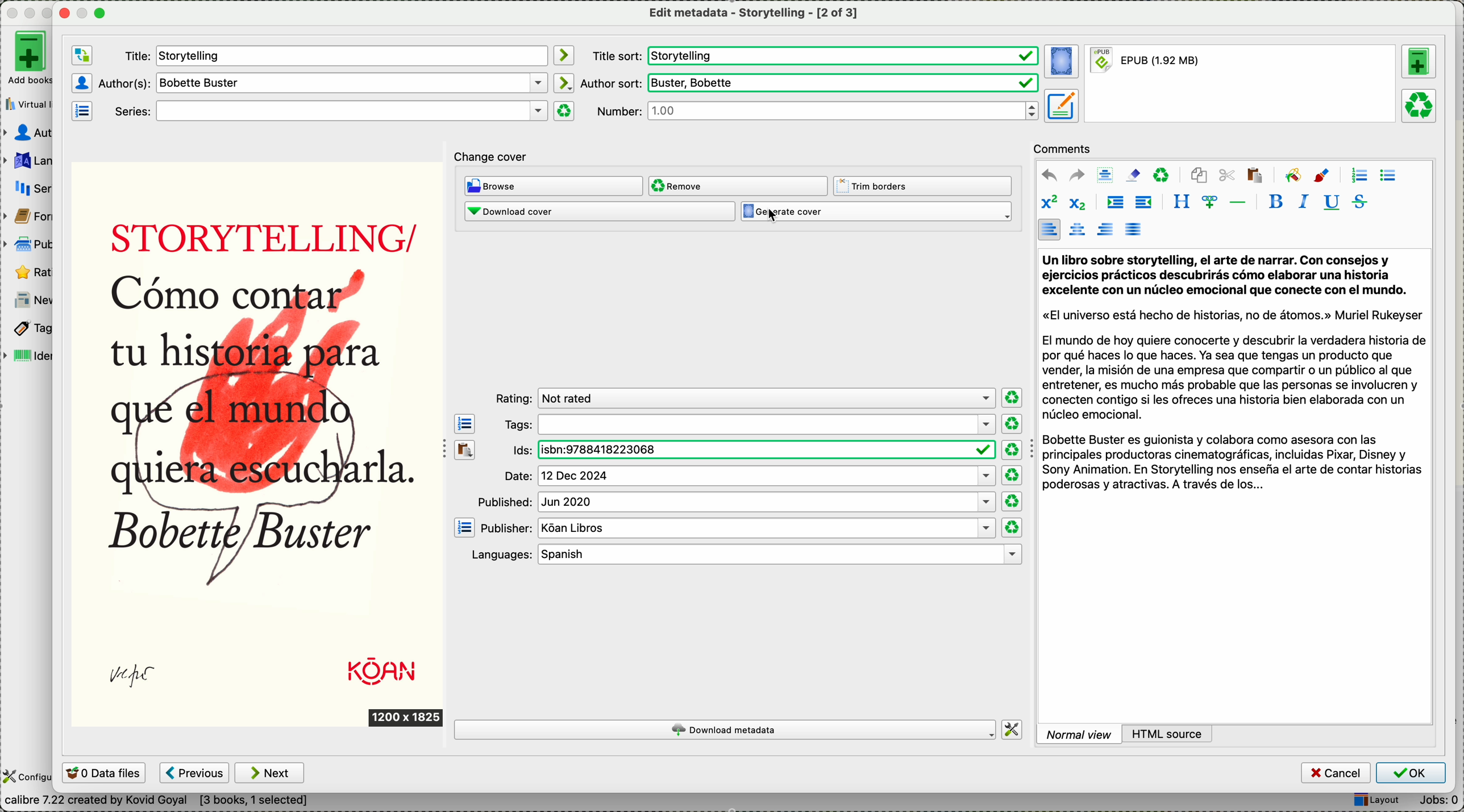  What do you see at coordinates (1373, 799) in the screenshot?
I see `layout` at bounding box center [1373, 799].